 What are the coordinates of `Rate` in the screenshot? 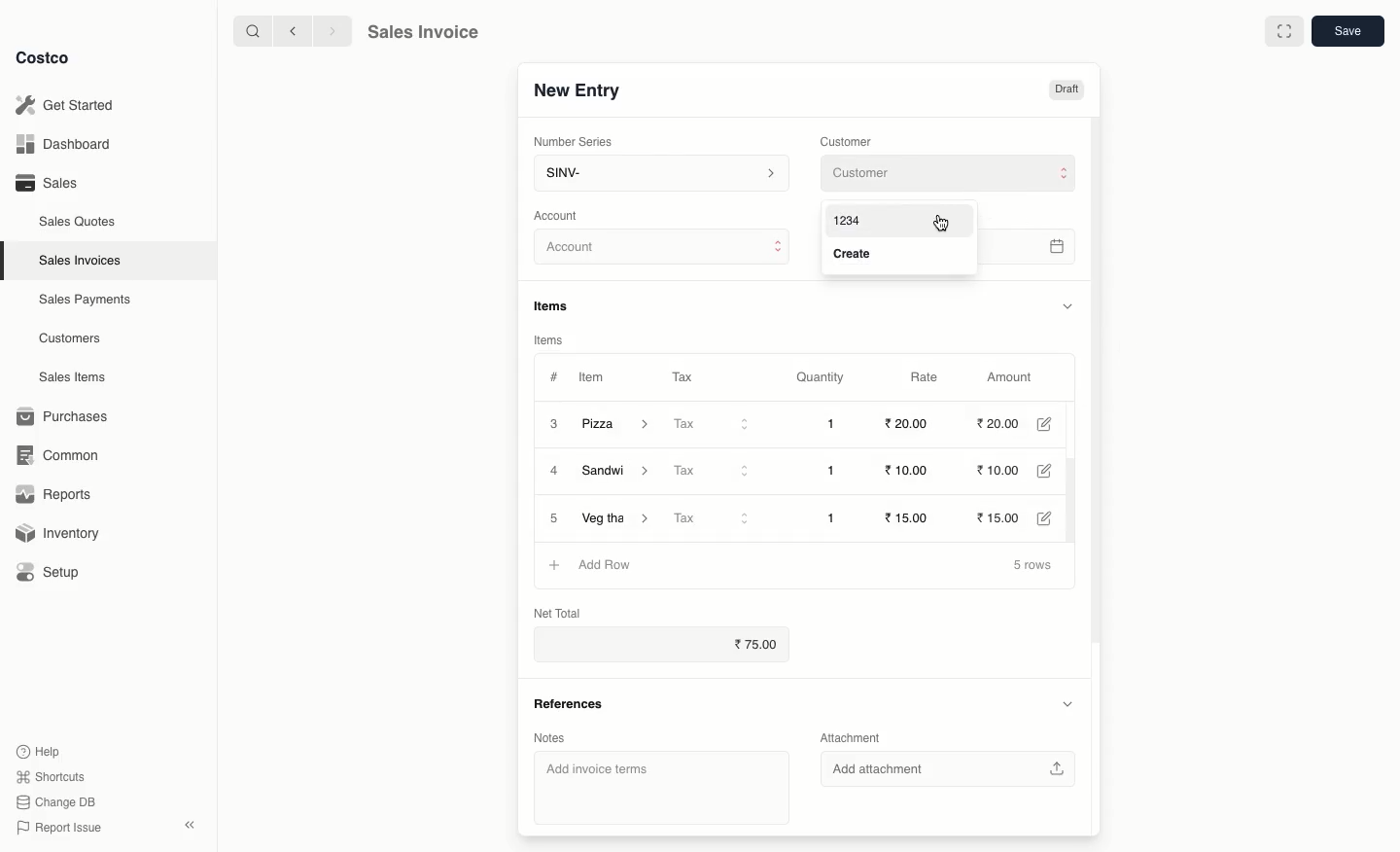 It's located at (927, 377).